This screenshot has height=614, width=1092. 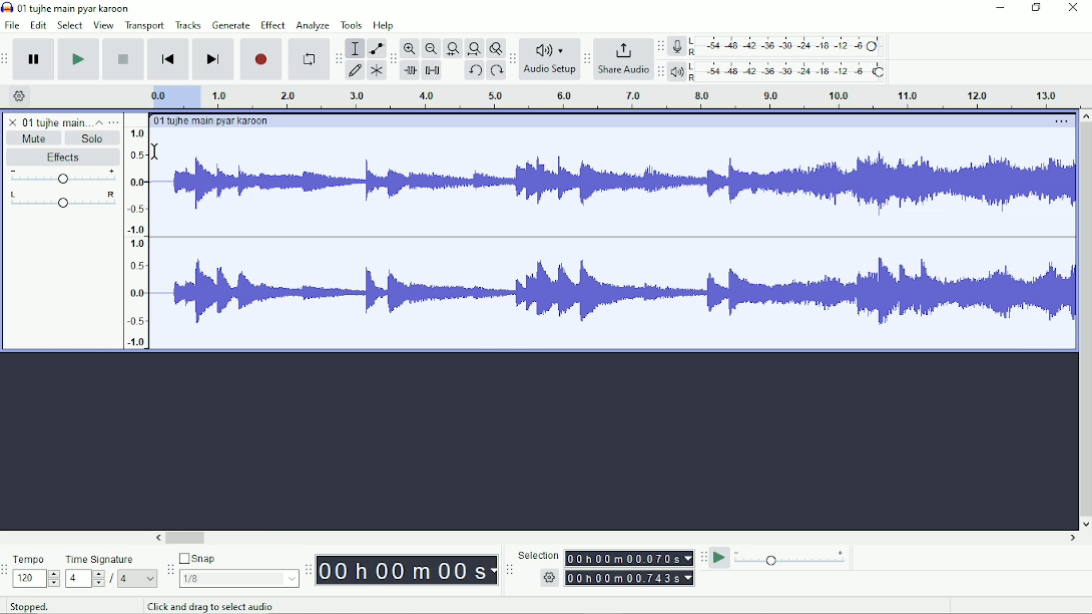 What do you see at coordinates (660, 47) in the screenshot?
I see `Audacity recording meter toolbar` at bounding box center [660, 47].